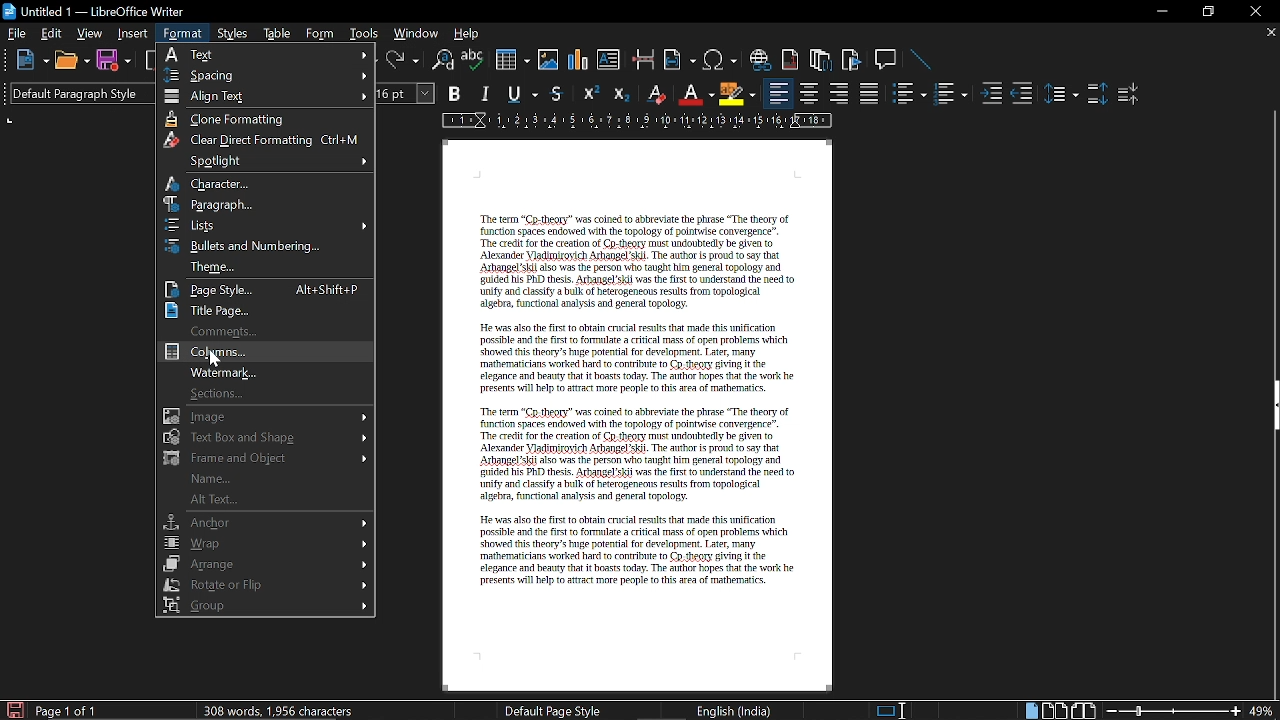 This screenshot has width=1280, height=720. I want to click on rotate and flip, so click(268, 583).